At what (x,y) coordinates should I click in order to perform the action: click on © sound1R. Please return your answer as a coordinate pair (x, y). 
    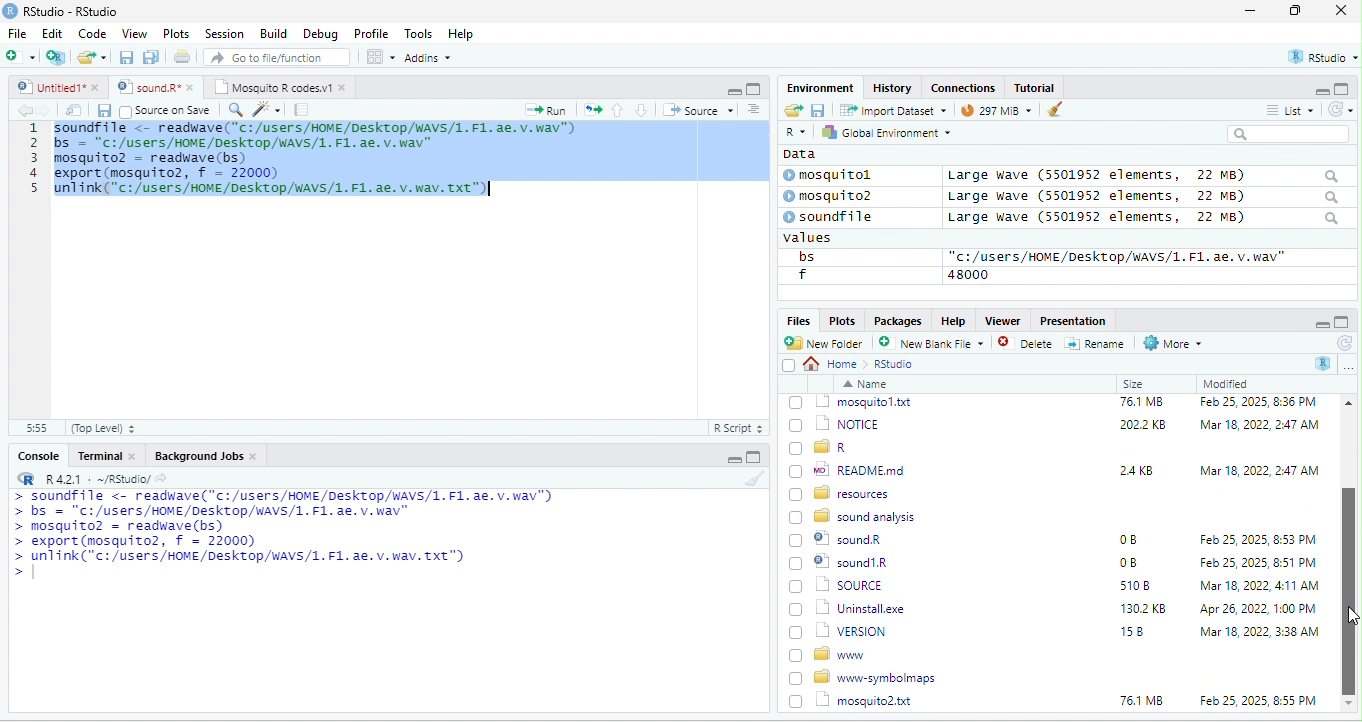
    Looking at the image, I should click on (842, 660).